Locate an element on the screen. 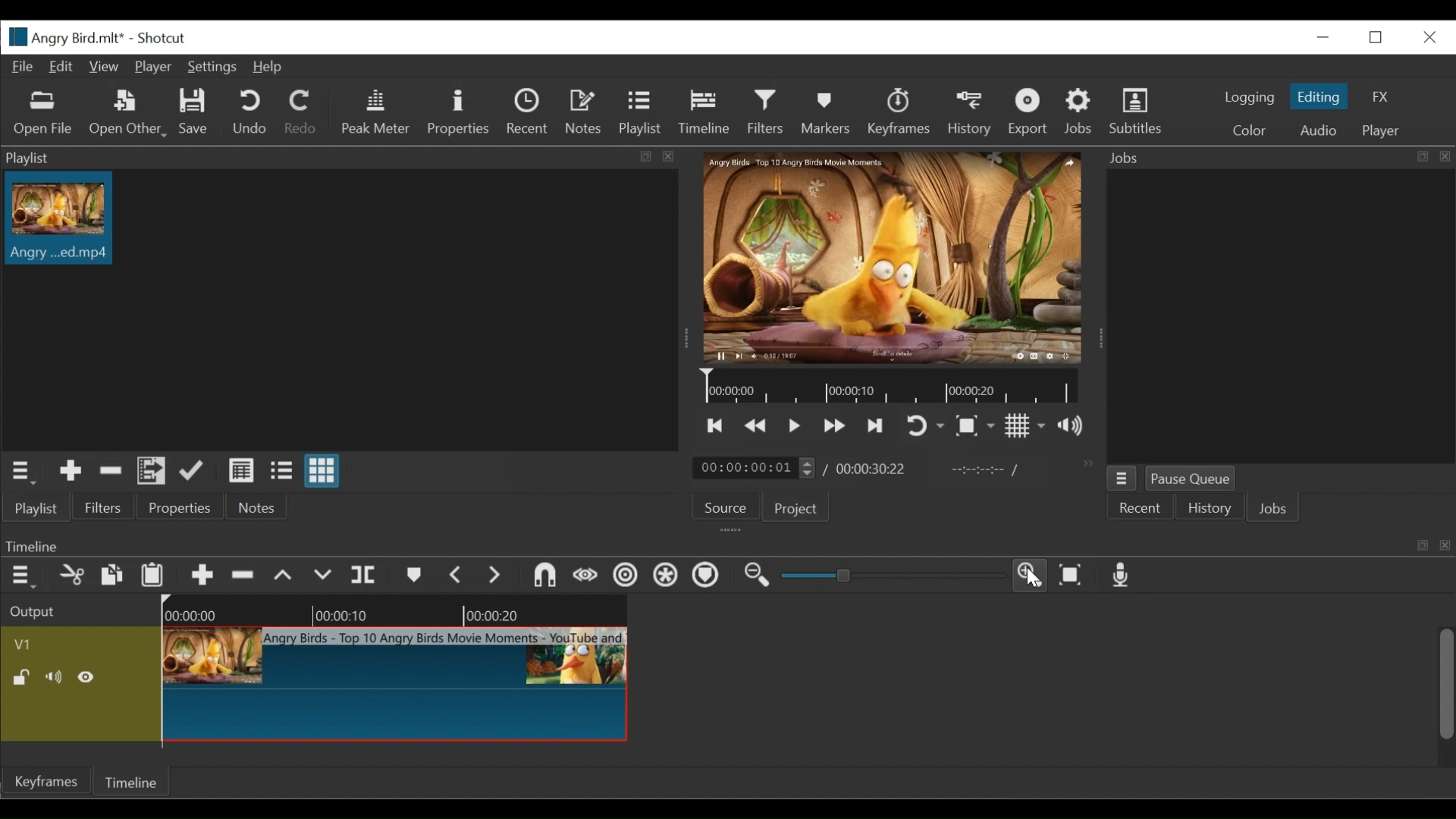  Peak Meter is located at coordinates (374, 112).